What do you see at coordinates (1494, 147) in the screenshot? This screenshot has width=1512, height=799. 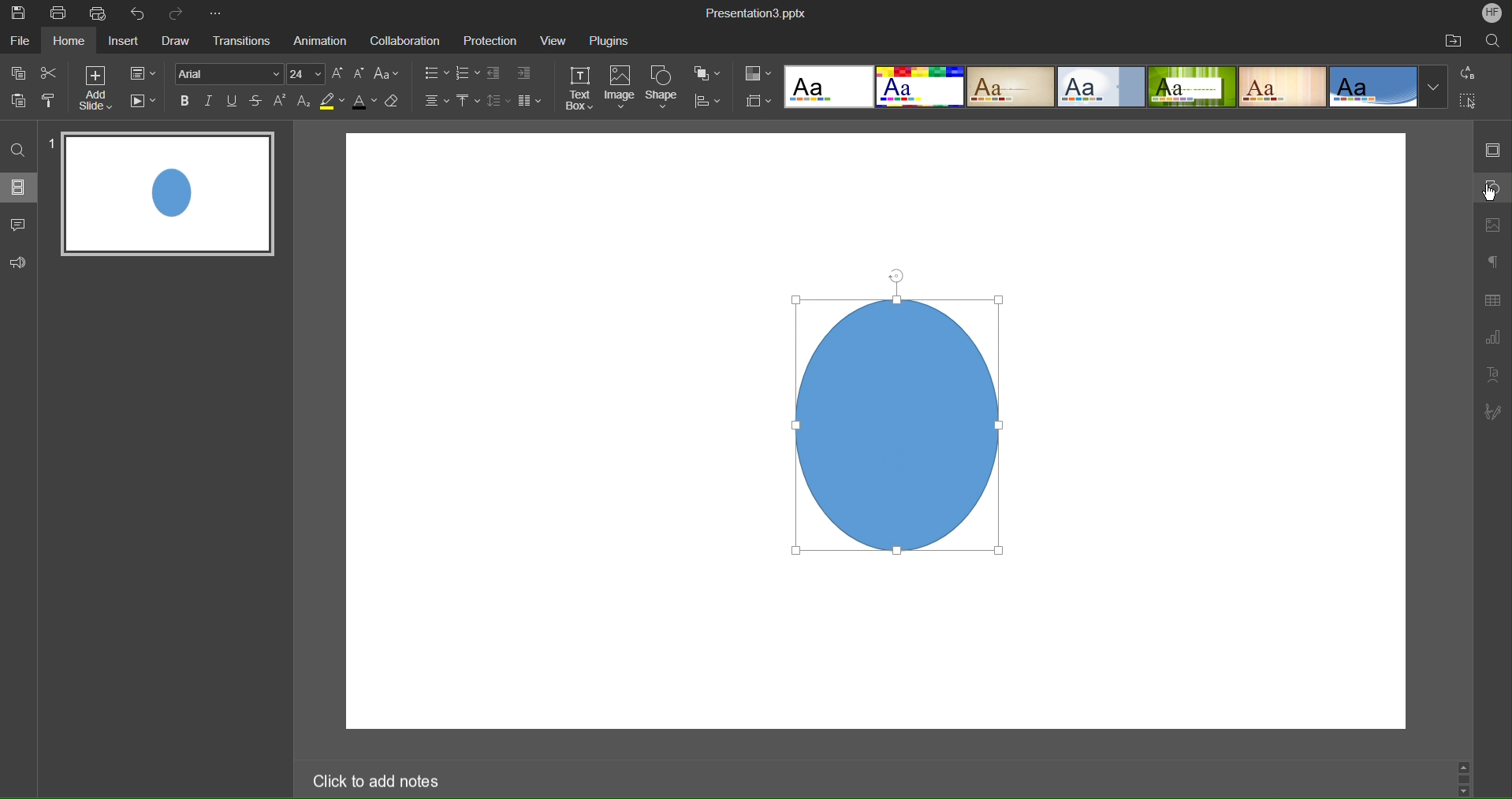 I see `Slide Settings` at bounding box center [1494, 147].